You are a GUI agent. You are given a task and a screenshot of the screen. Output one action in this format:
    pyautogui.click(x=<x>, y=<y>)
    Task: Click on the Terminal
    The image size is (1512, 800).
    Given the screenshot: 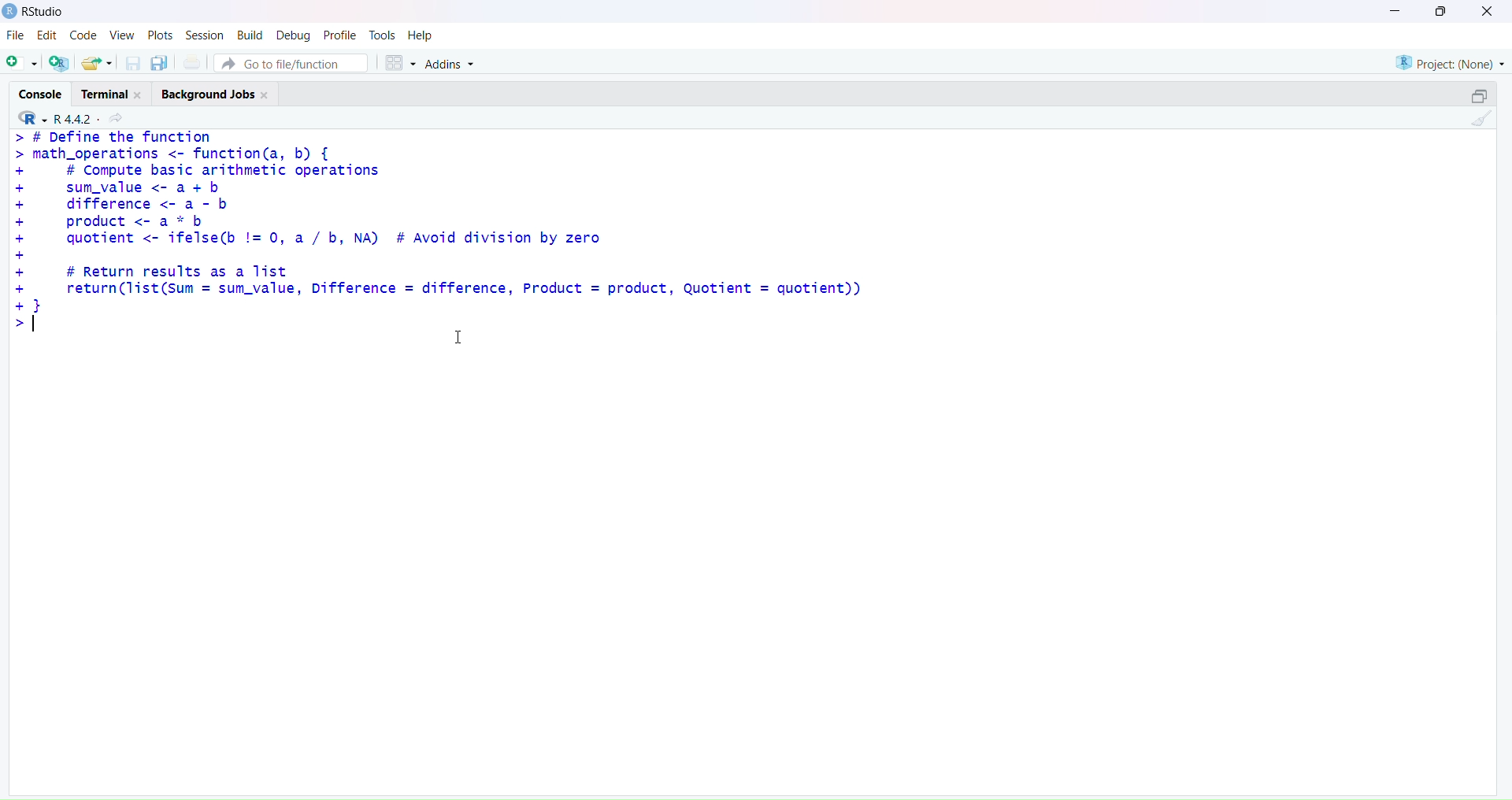 What is the action you would take?
    pyautogui.click(x=116, y=91)
    